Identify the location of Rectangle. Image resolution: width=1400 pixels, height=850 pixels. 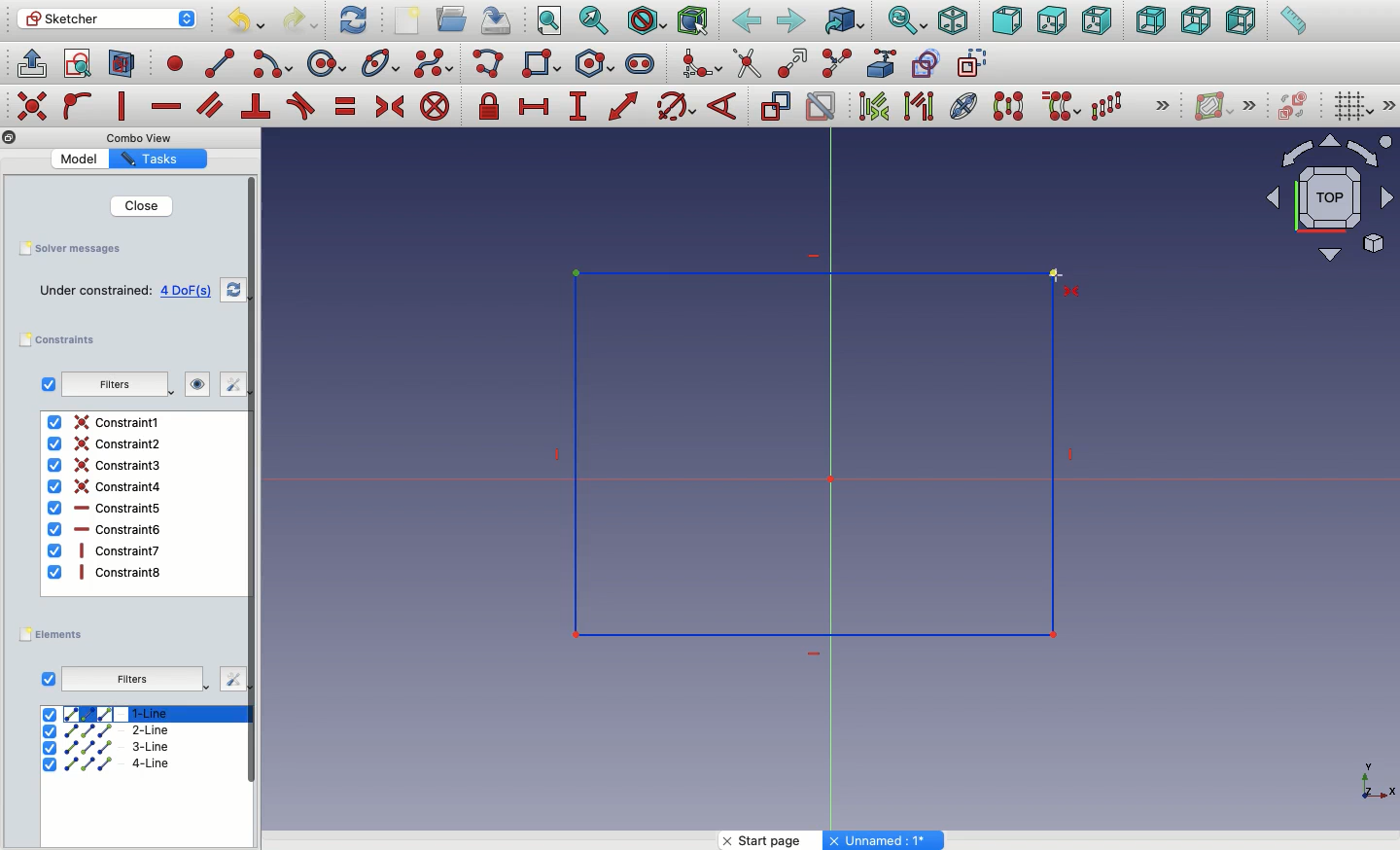
(545, 66).